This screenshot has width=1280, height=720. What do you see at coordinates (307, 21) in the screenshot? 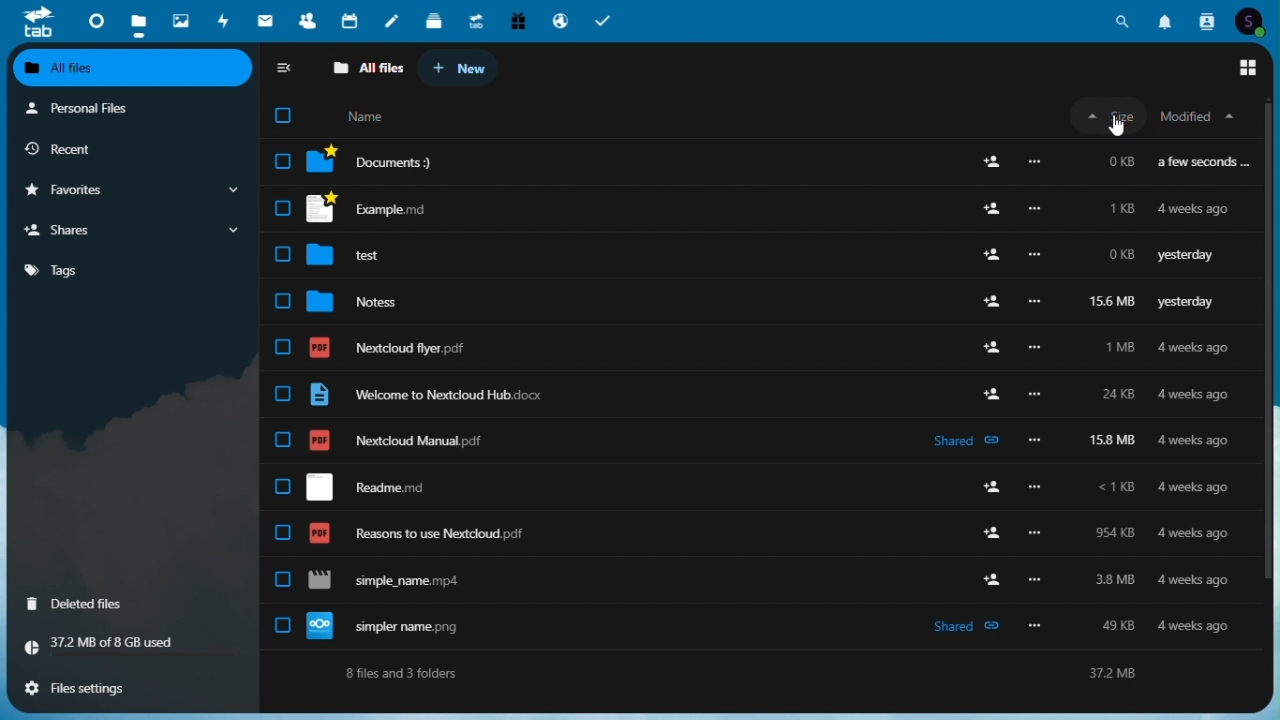
I see `contacts` at bounding box center [307, 21].